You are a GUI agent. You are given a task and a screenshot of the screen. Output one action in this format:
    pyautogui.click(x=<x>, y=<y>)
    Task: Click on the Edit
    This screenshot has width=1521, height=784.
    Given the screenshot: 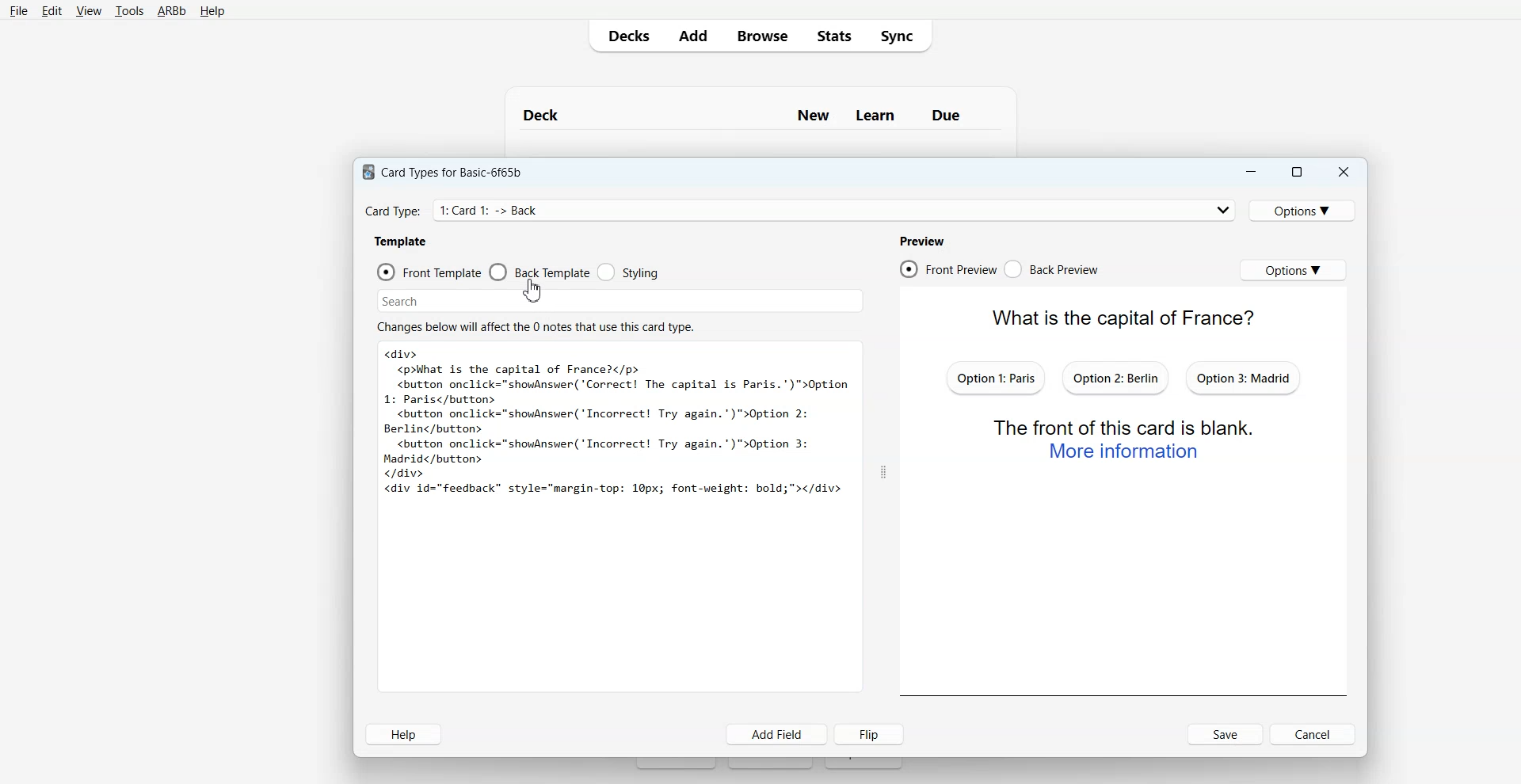 What is the action you would take?
    pyautogui.click(x=51, y=10)
    